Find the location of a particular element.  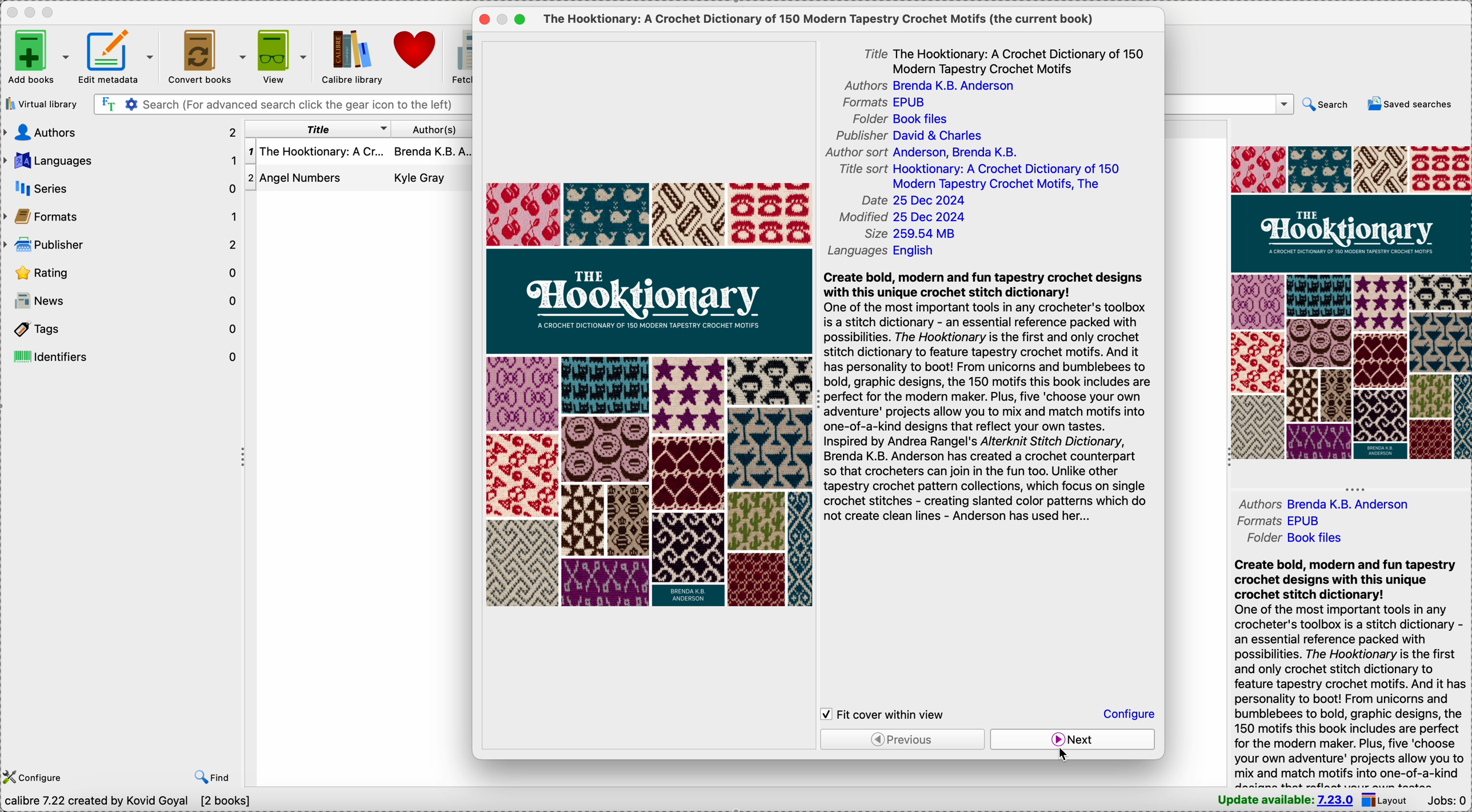

authors is located at coordinates (1331, 502).